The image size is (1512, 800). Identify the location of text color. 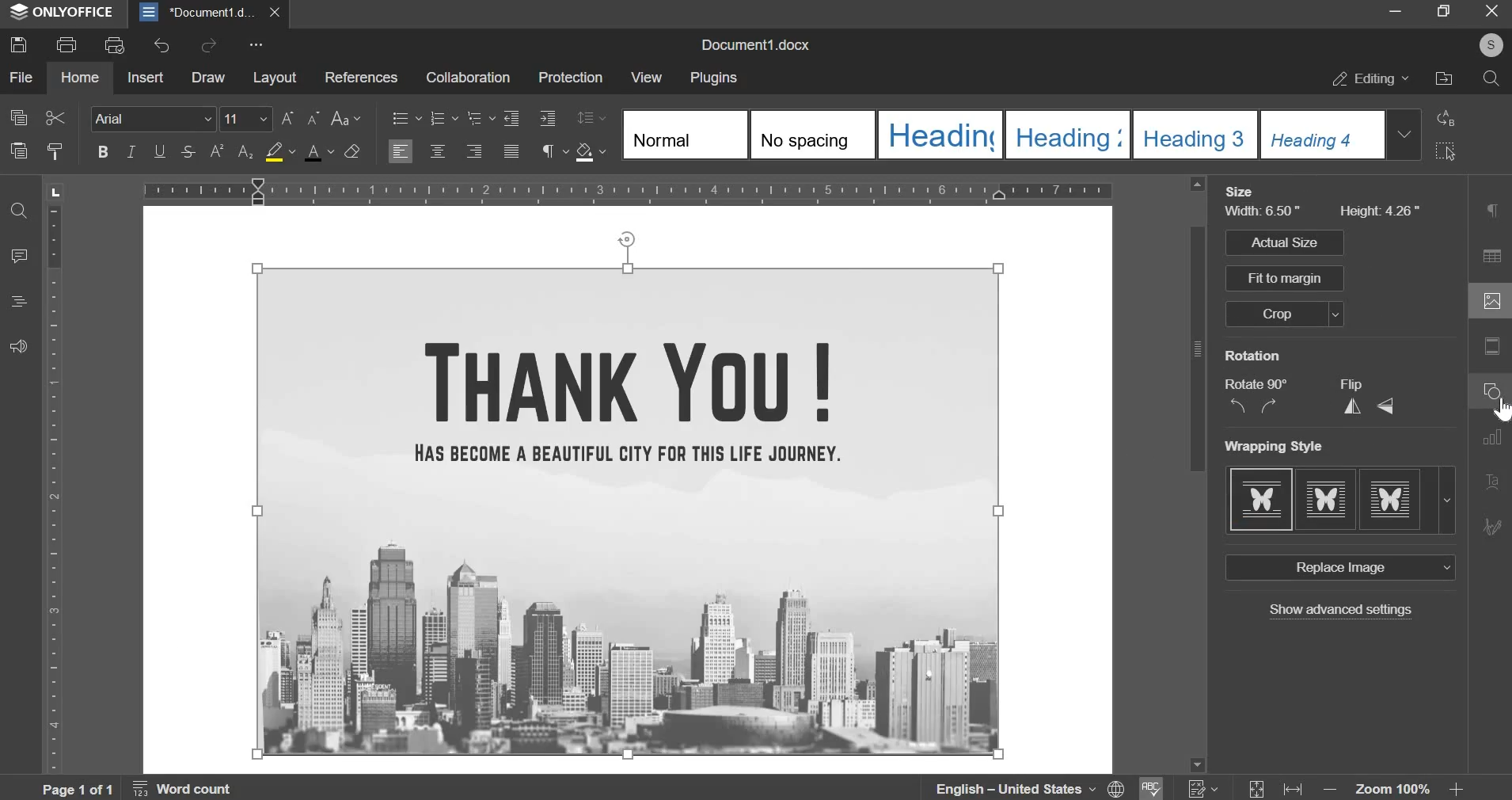
(318, 151).